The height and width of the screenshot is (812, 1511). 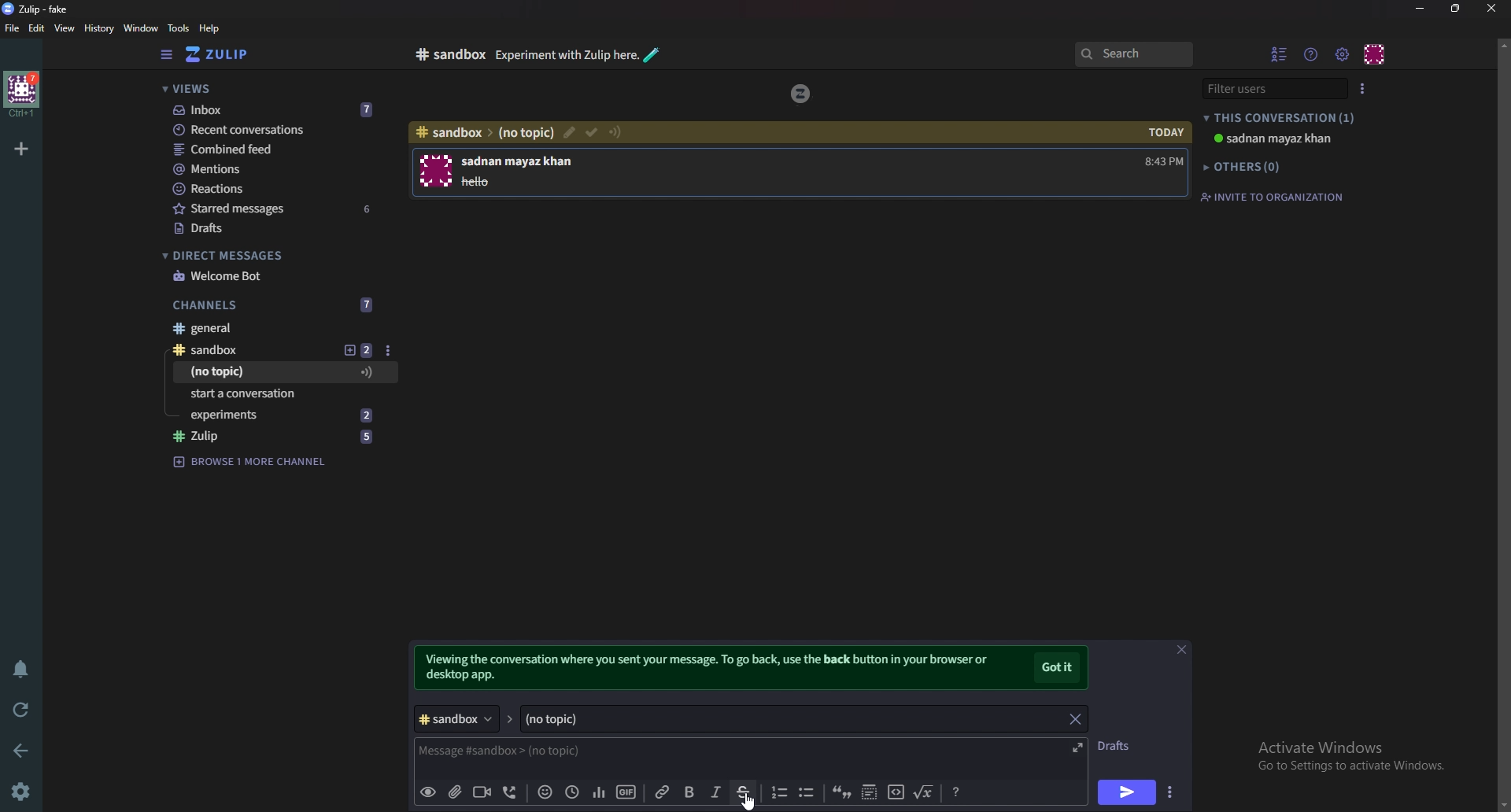 I want to click on Reload, so click(x=20, y=707).